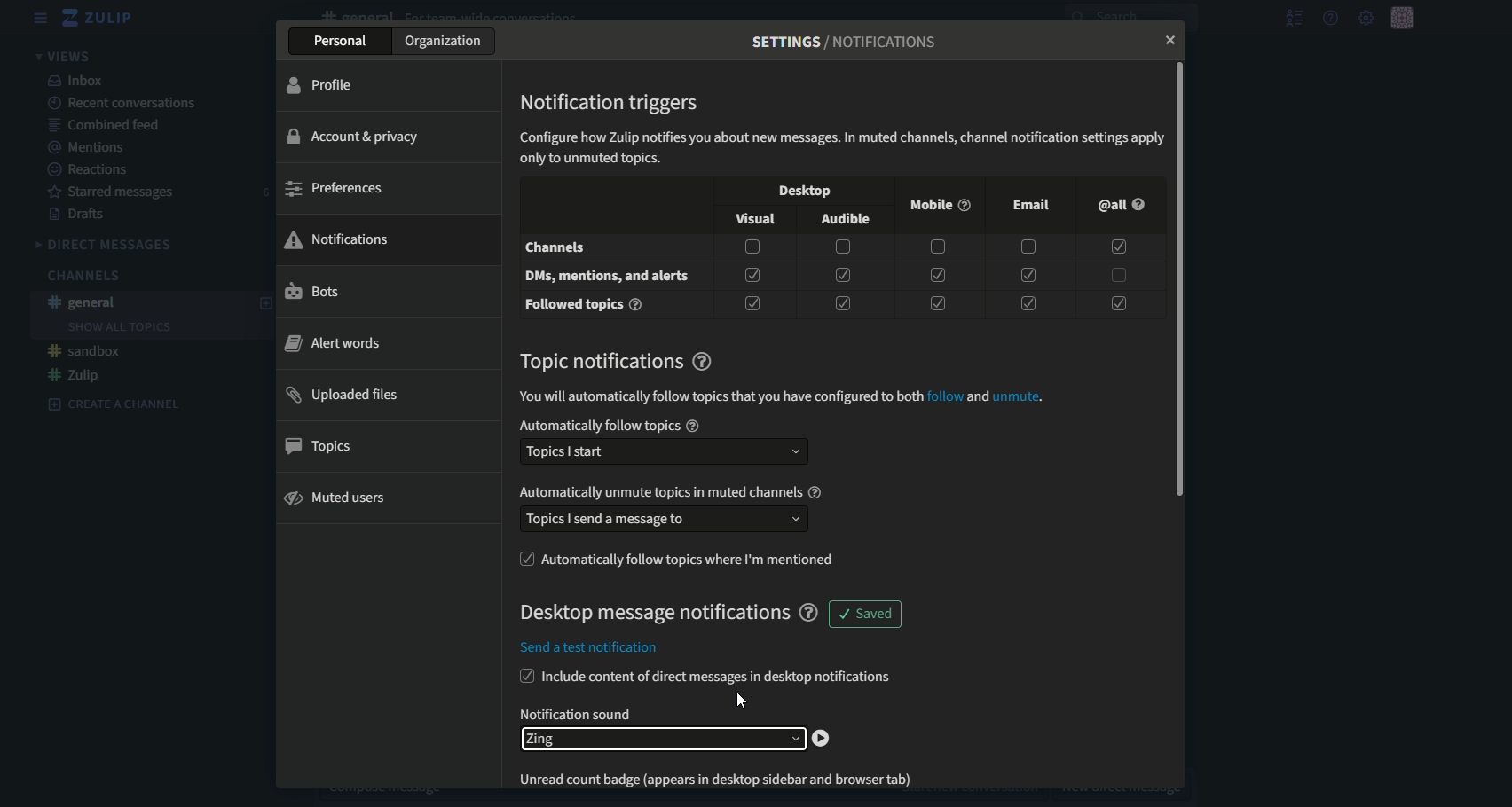 Image resolution: width=1512 pixels, height=807 pixels. What do you see at coordinates (590, 650) in the screenshot?
I see `text` at bounding box center [590, 650].